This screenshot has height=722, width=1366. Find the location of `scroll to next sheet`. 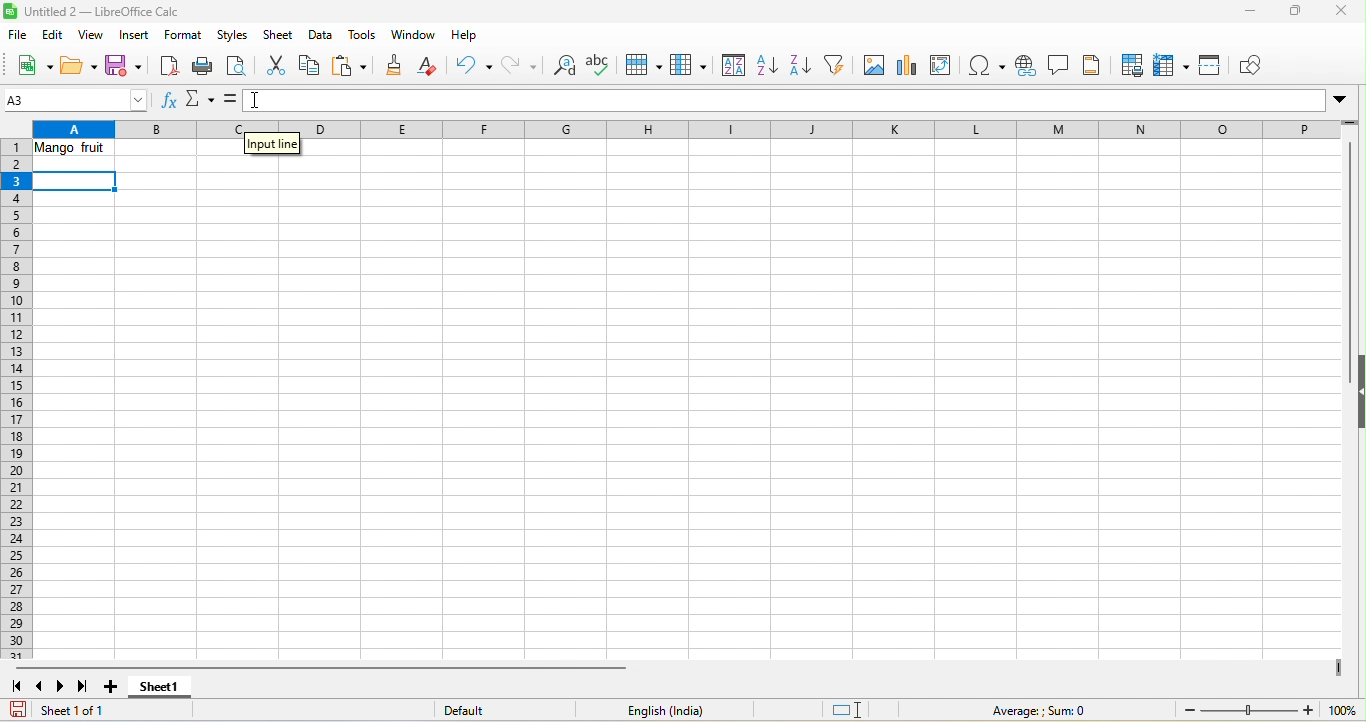

scroll to next sheet is located at coordinates (59, 687).